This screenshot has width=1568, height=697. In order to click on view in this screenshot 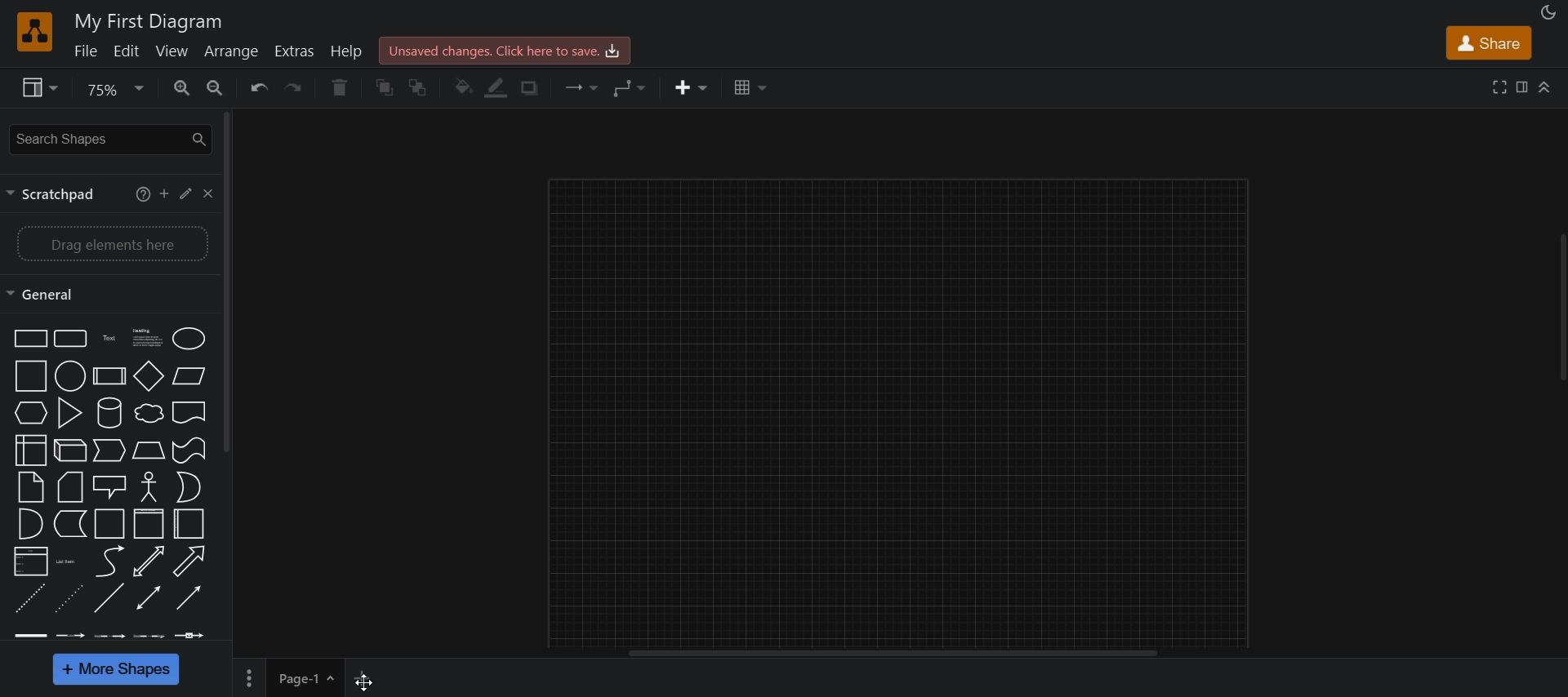, I will do `click(38, 87)`.